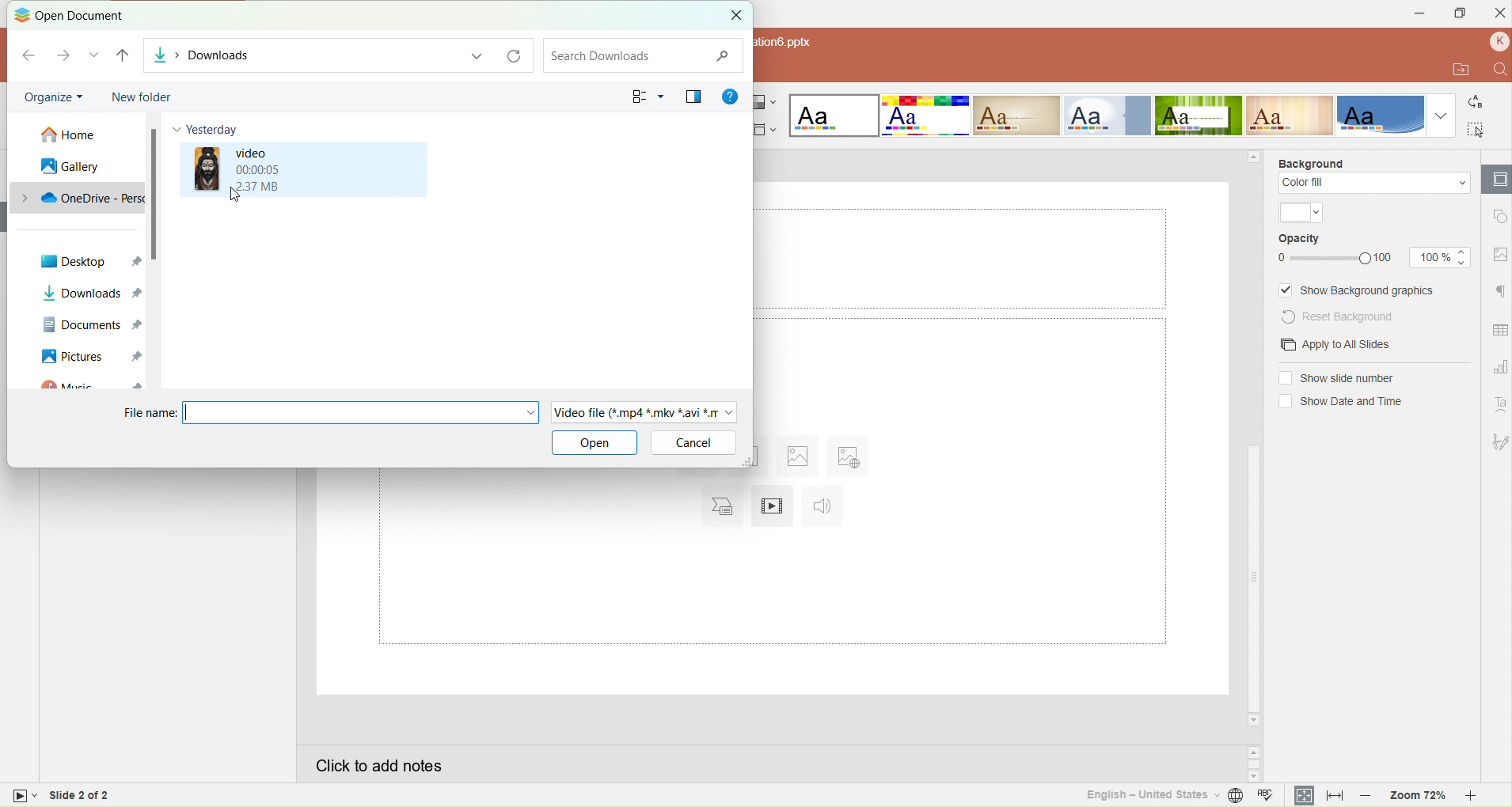 The image size is (1512, 807). What do you see at coordinates (120, 56) in the screenshot?
I see `Up to desktop` at bounding box center [120, 56].